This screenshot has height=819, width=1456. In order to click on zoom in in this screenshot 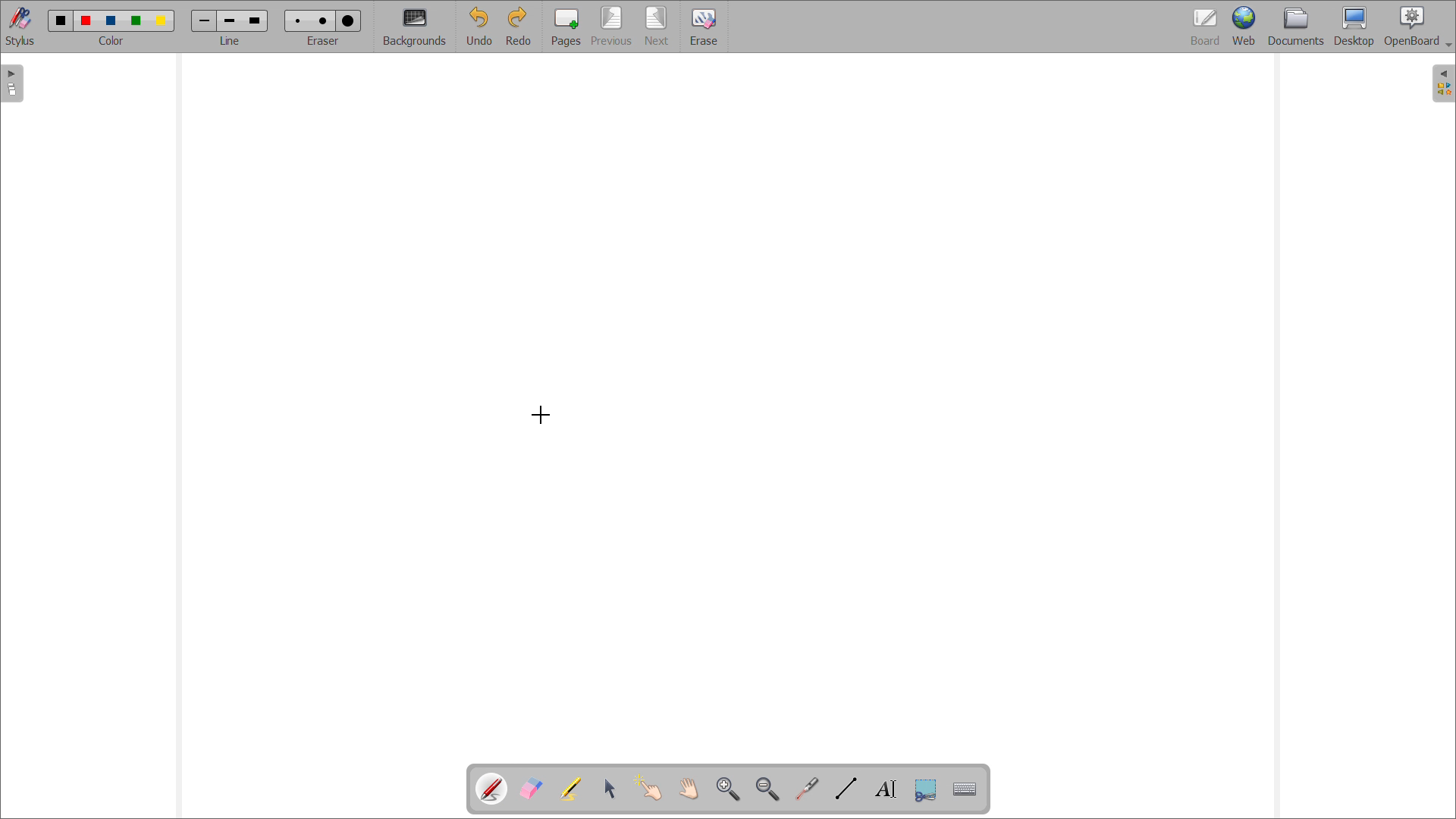, I will do `click(729, 789)`.